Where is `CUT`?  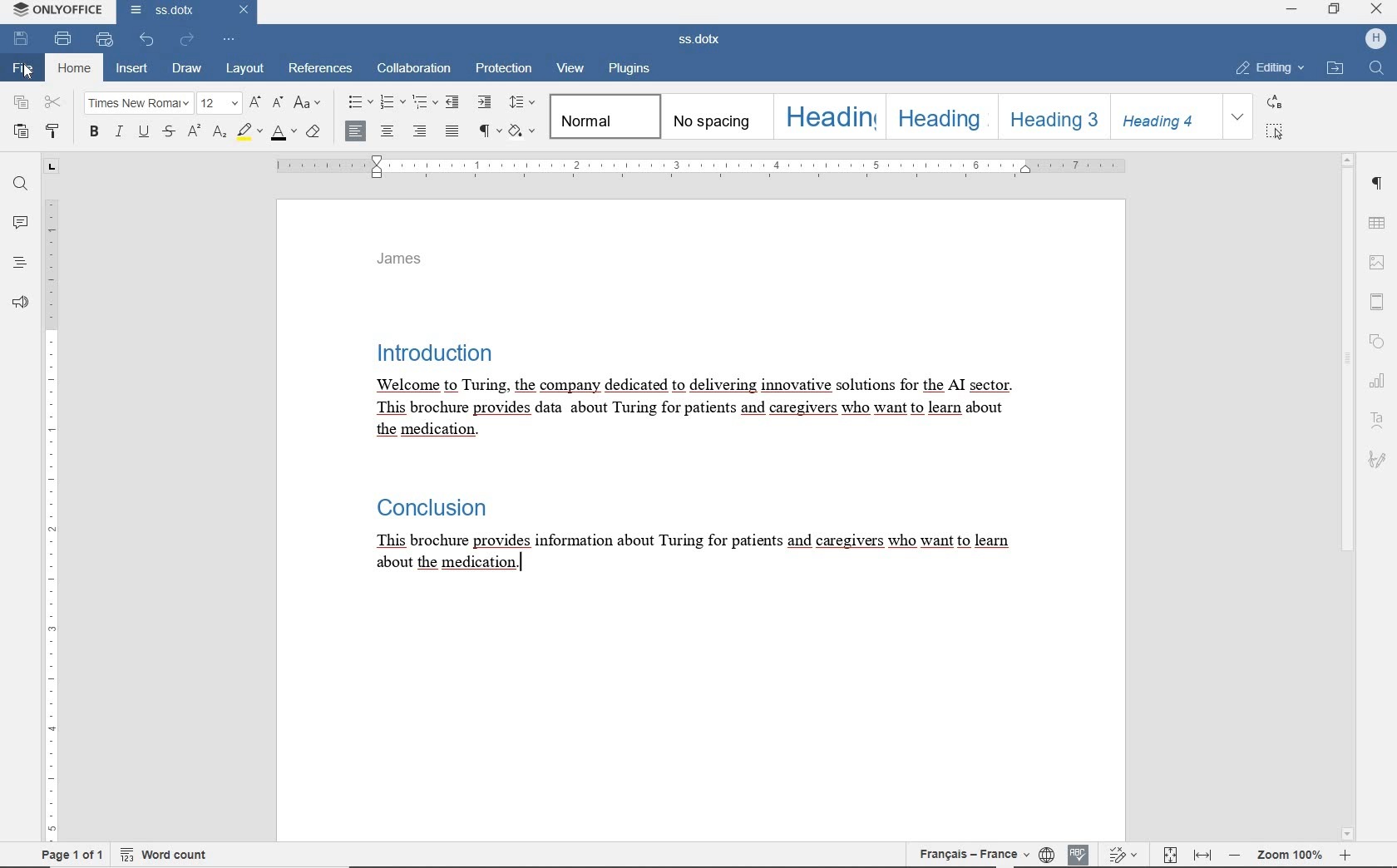 CUT is located at coordinates (53, 104).